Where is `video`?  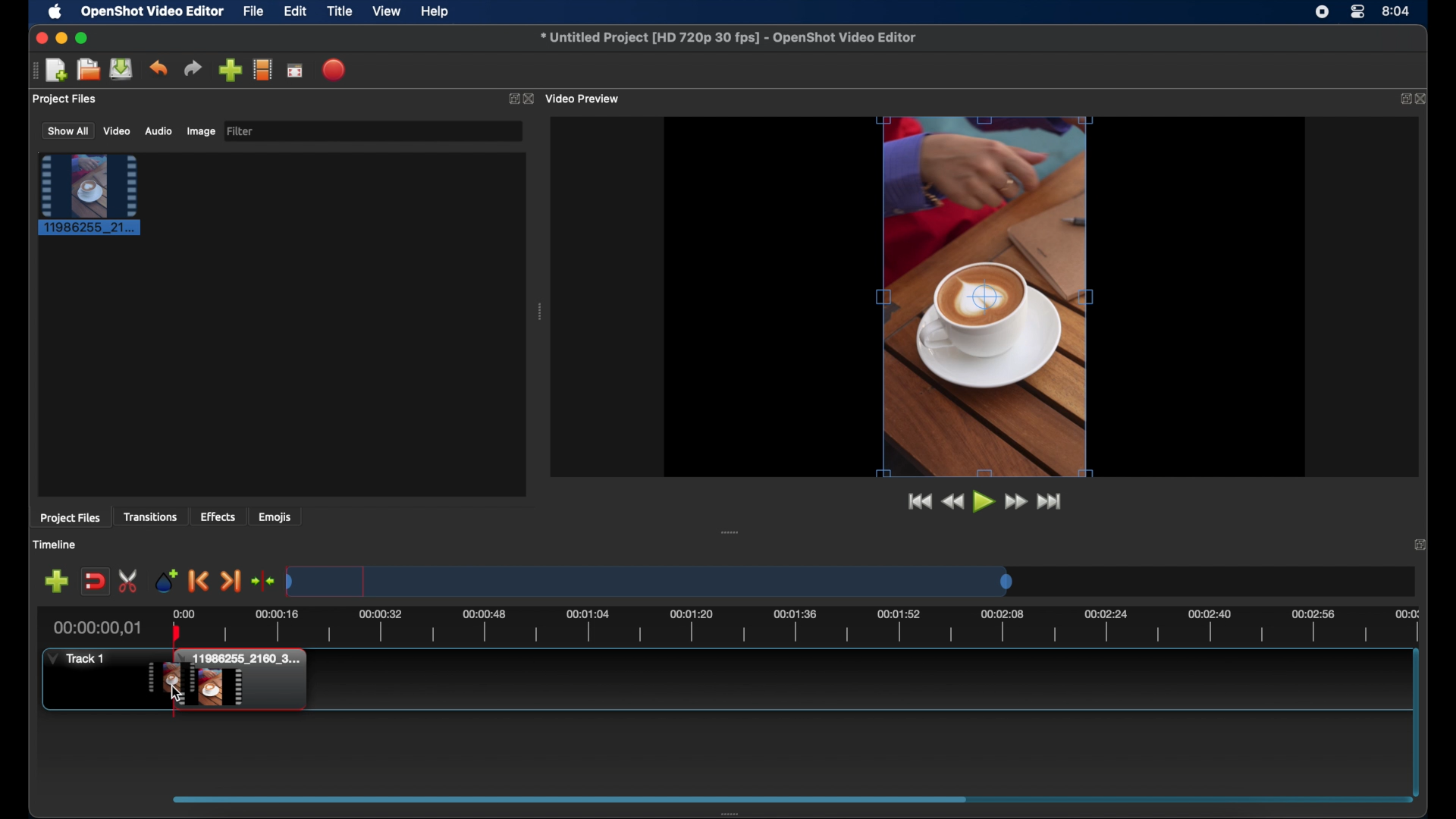 video is located at coordinates (118, 131).